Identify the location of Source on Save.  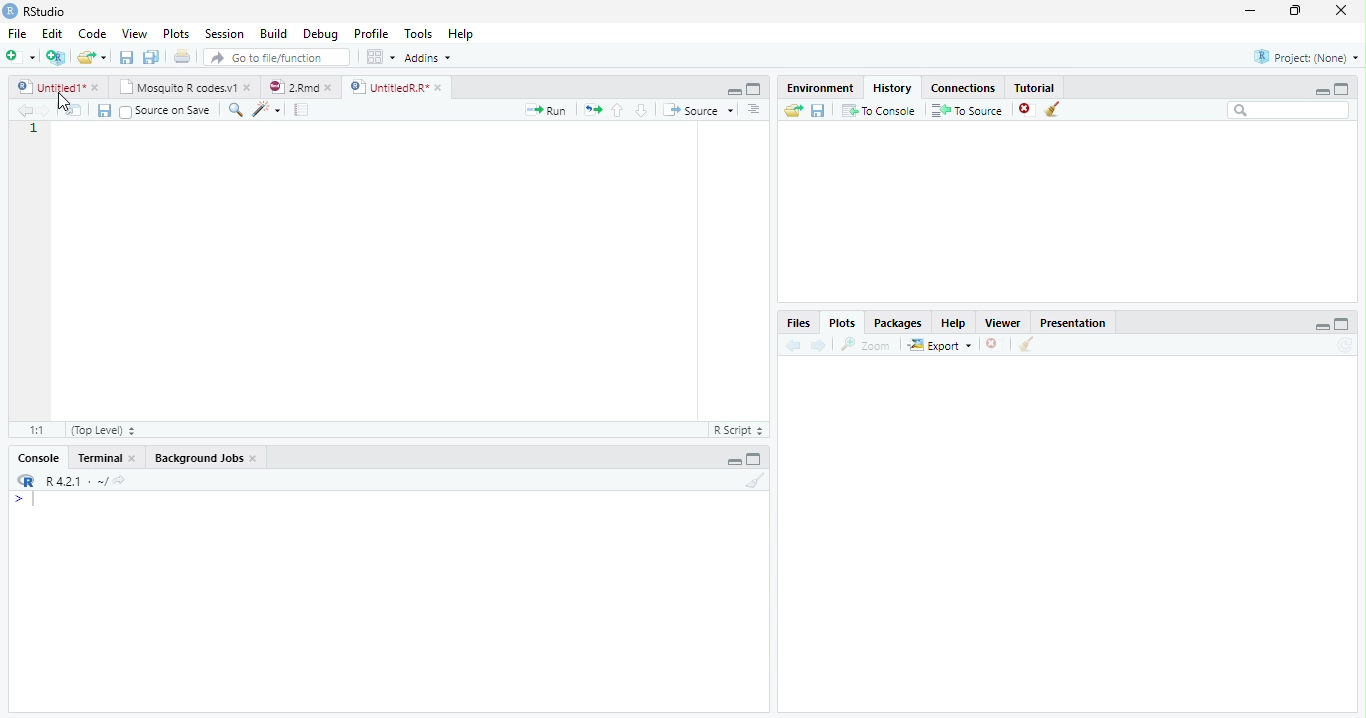
(167, 112).